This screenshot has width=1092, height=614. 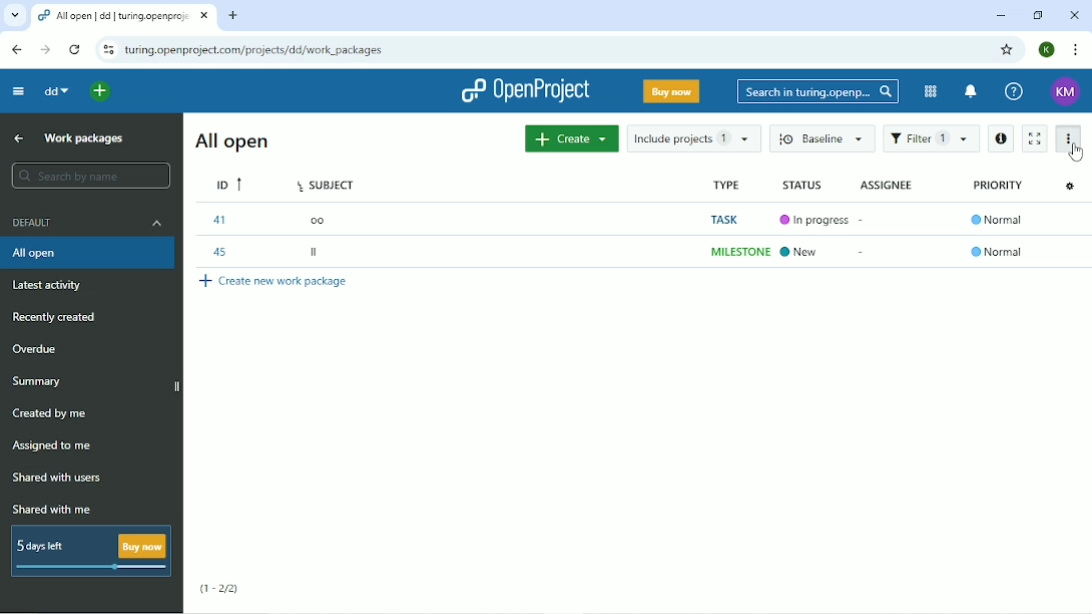 What do you see at coordinates (91, 552) in the screenshot?
I see `5 days left` at bounding box center [91, 552].